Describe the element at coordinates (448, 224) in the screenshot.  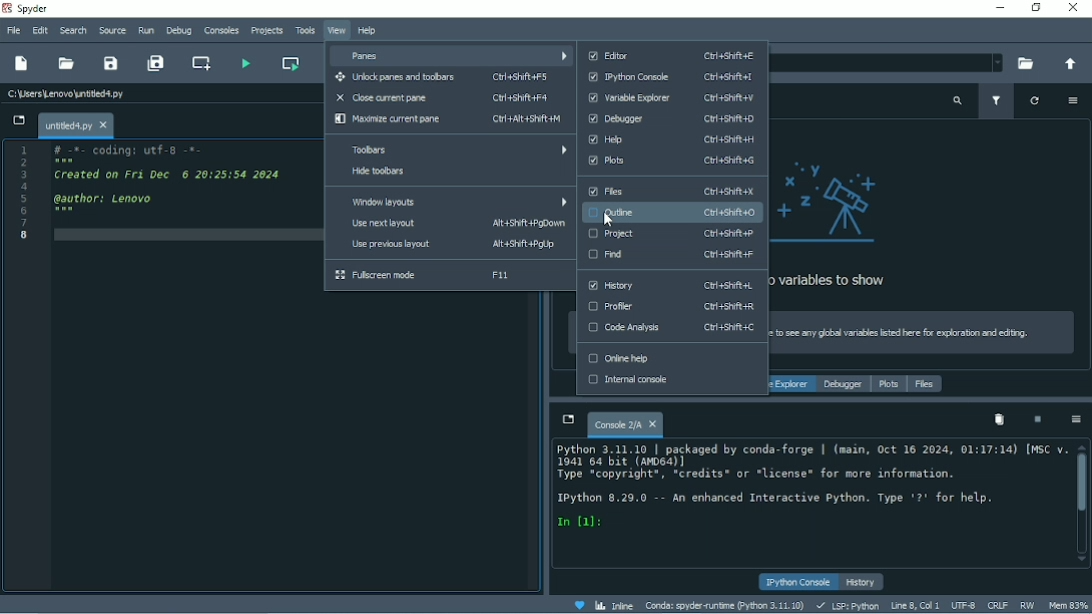
I see `Use next layout` at that location.